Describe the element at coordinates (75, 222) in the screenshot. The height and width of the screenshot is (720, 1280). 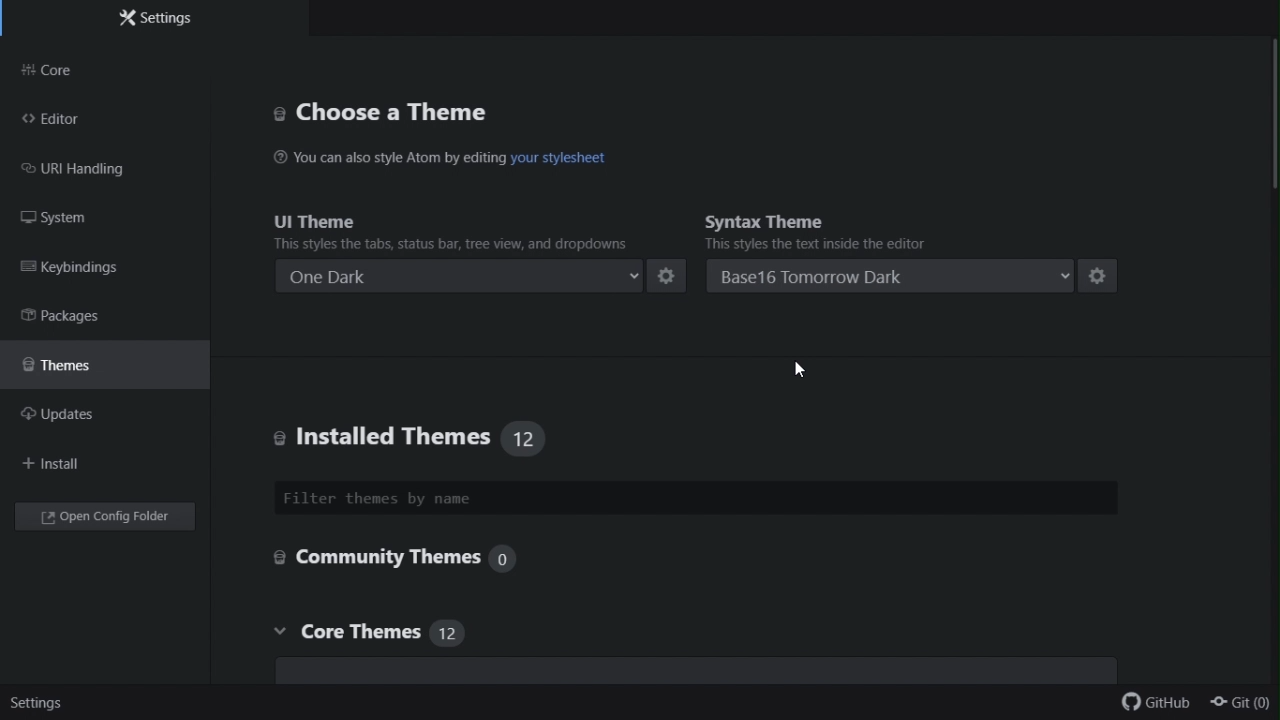
I see `System` at that location.